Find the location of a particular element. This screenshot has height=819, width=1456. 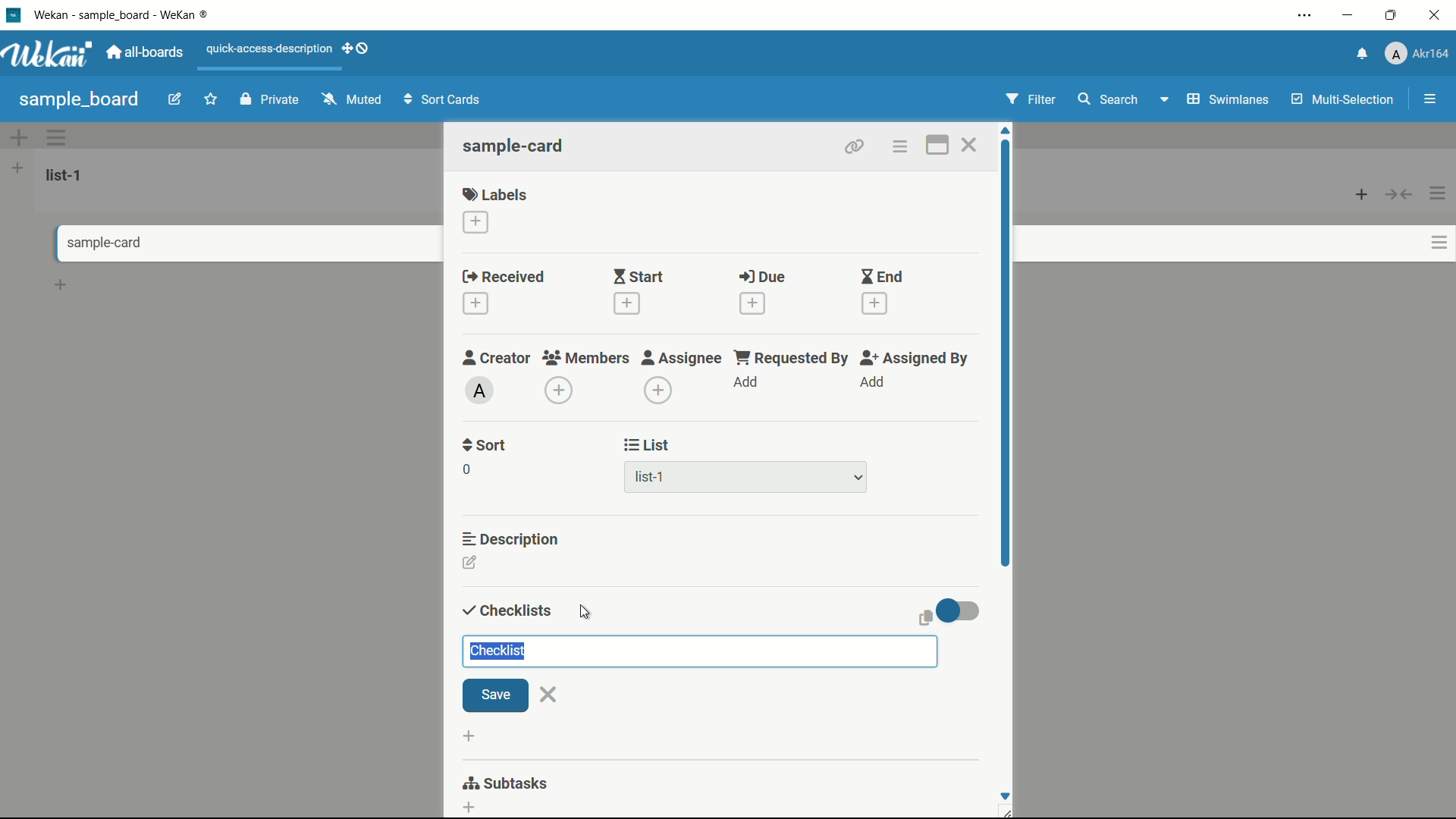

dropdown is located at coordinates (1163, 102).